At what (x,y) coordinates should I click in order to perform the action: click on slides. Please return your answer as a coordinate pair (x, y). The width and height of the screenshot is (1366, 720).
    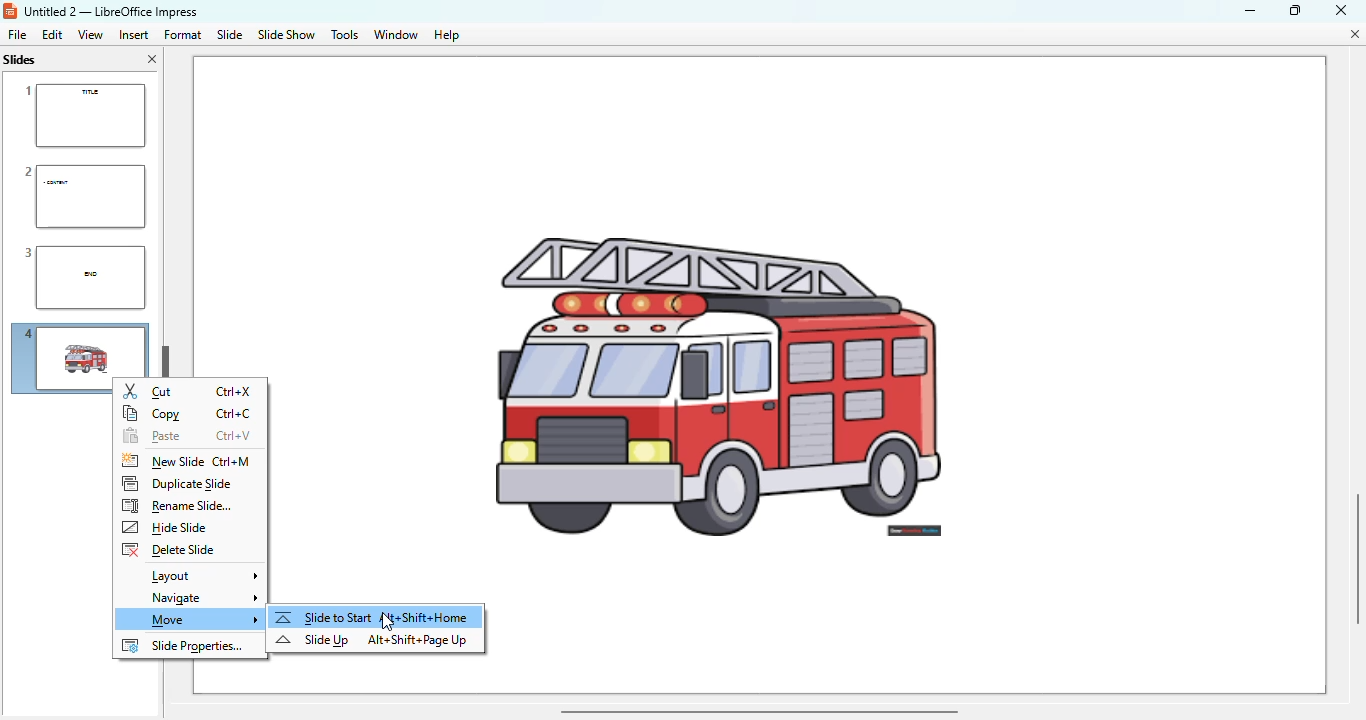
    Looking at the image, I should click on (22, 59).